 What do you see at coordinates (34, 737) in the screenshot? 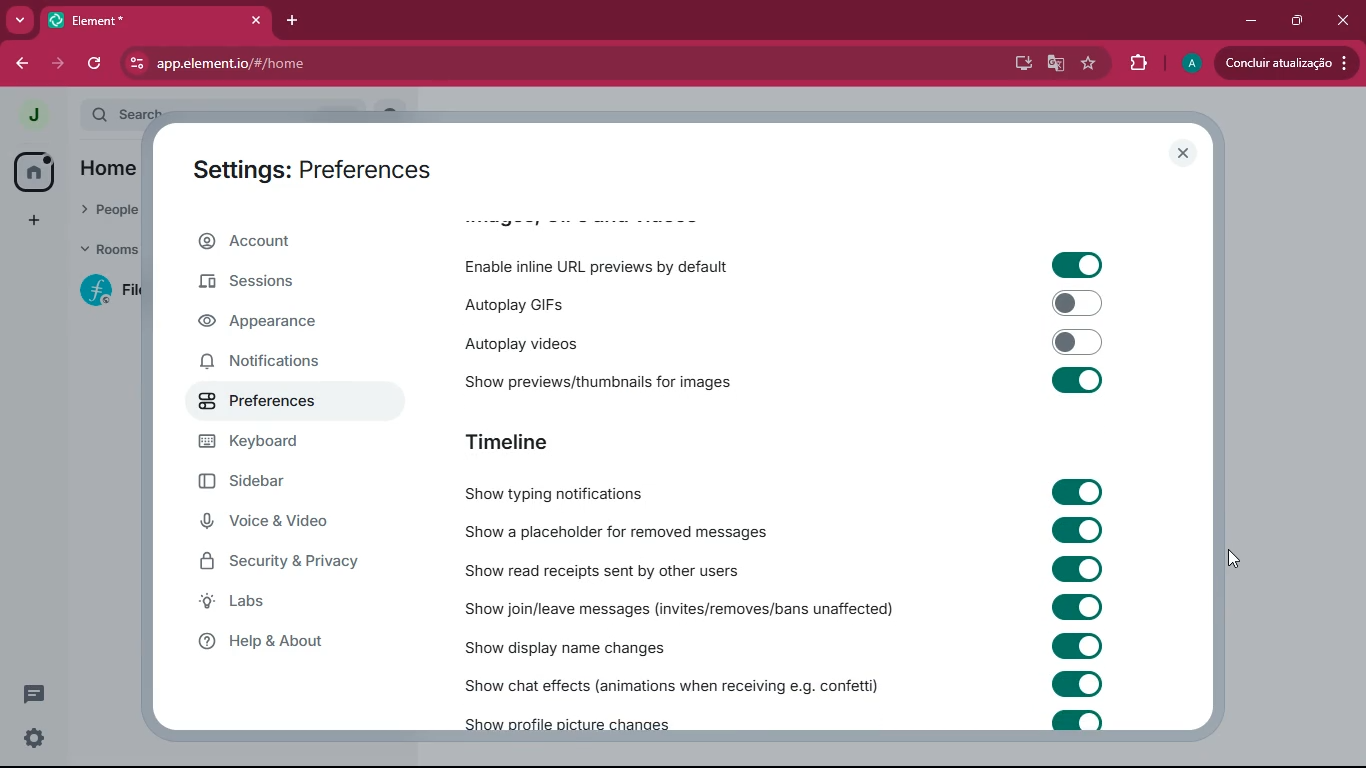
I see `quick settings` at bounding box center [34, 737].